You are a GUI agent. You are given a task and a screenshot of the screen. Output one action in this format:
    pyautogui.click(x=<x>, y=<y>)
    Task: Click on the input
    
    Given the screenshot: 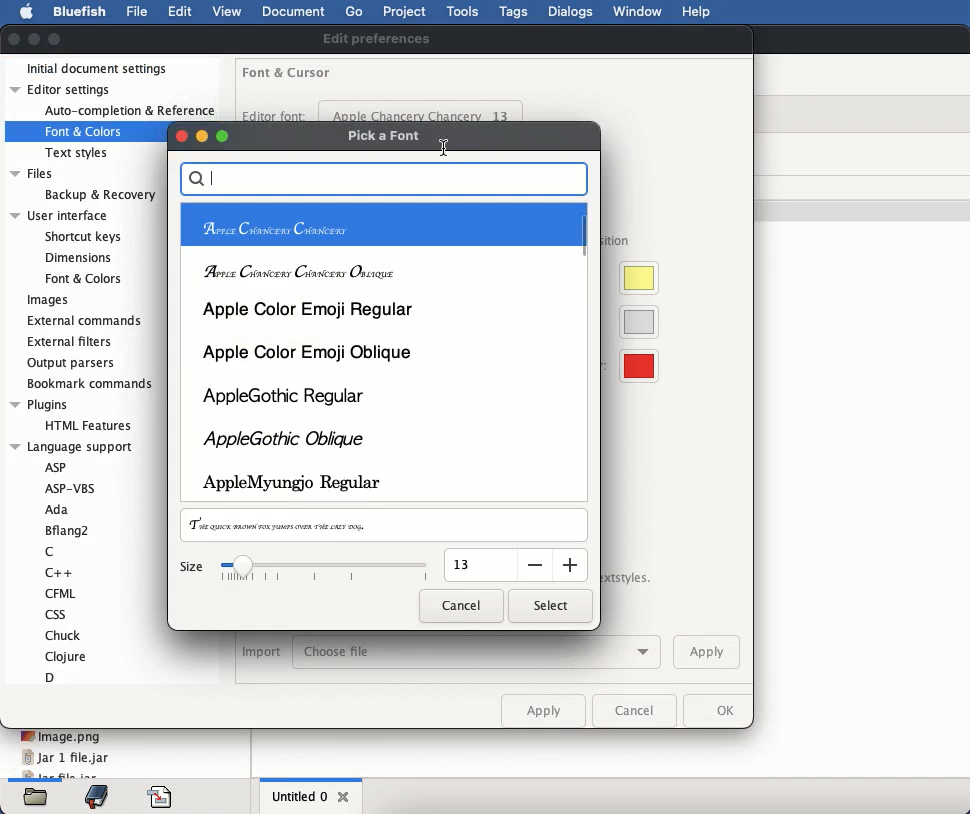 What is the action you would take?
    pyautogui.click(x=516, y=564)
    